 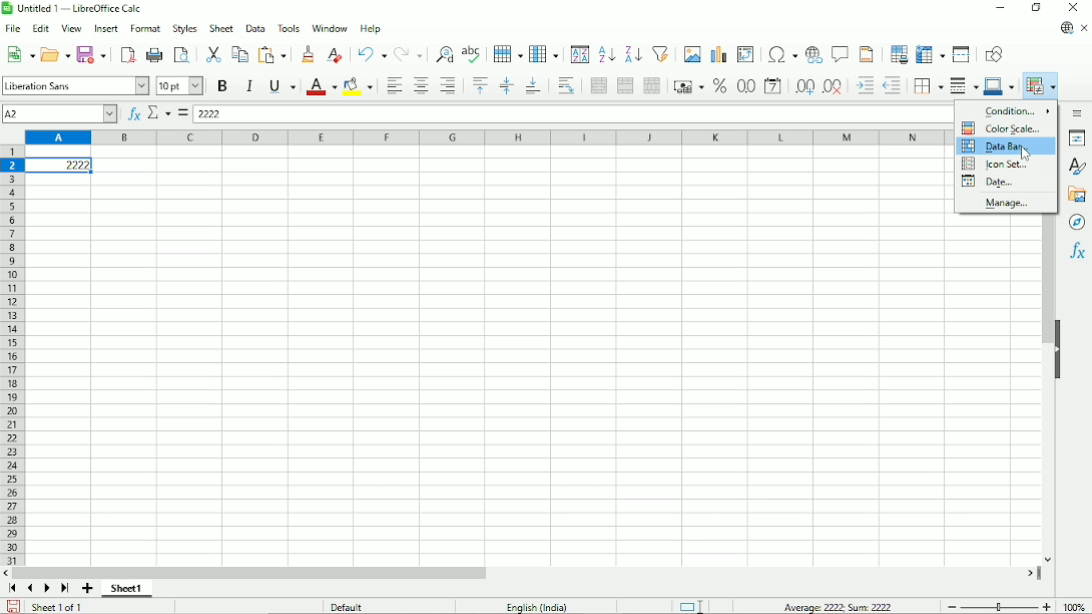 I want to click on Scroll to last sheet, so click(x=66, y=589).